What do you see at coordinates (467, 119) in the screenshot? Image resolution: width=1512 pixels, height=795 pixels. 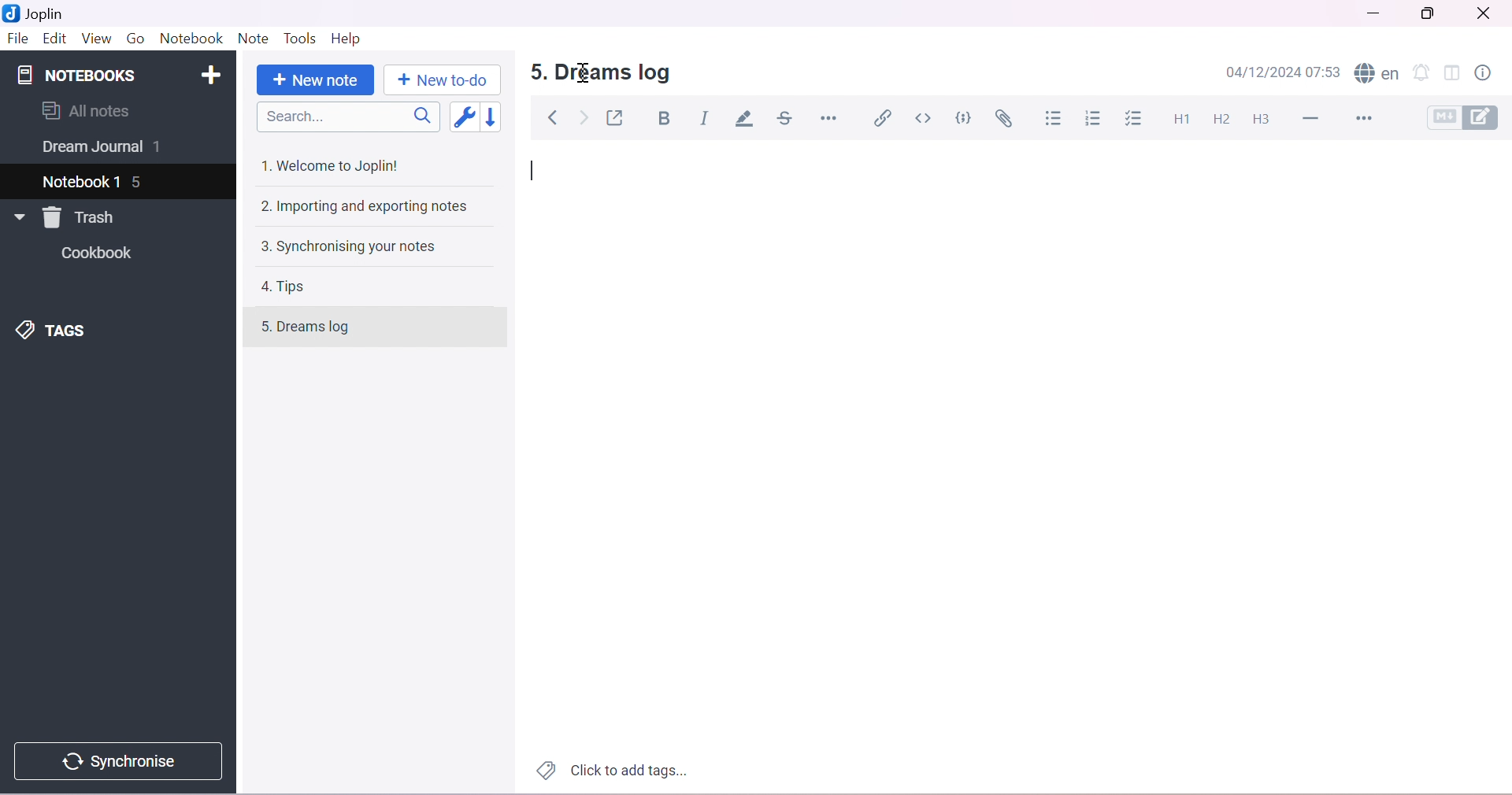 I see `Toggle sort order field` at bounding box center [467, 119].